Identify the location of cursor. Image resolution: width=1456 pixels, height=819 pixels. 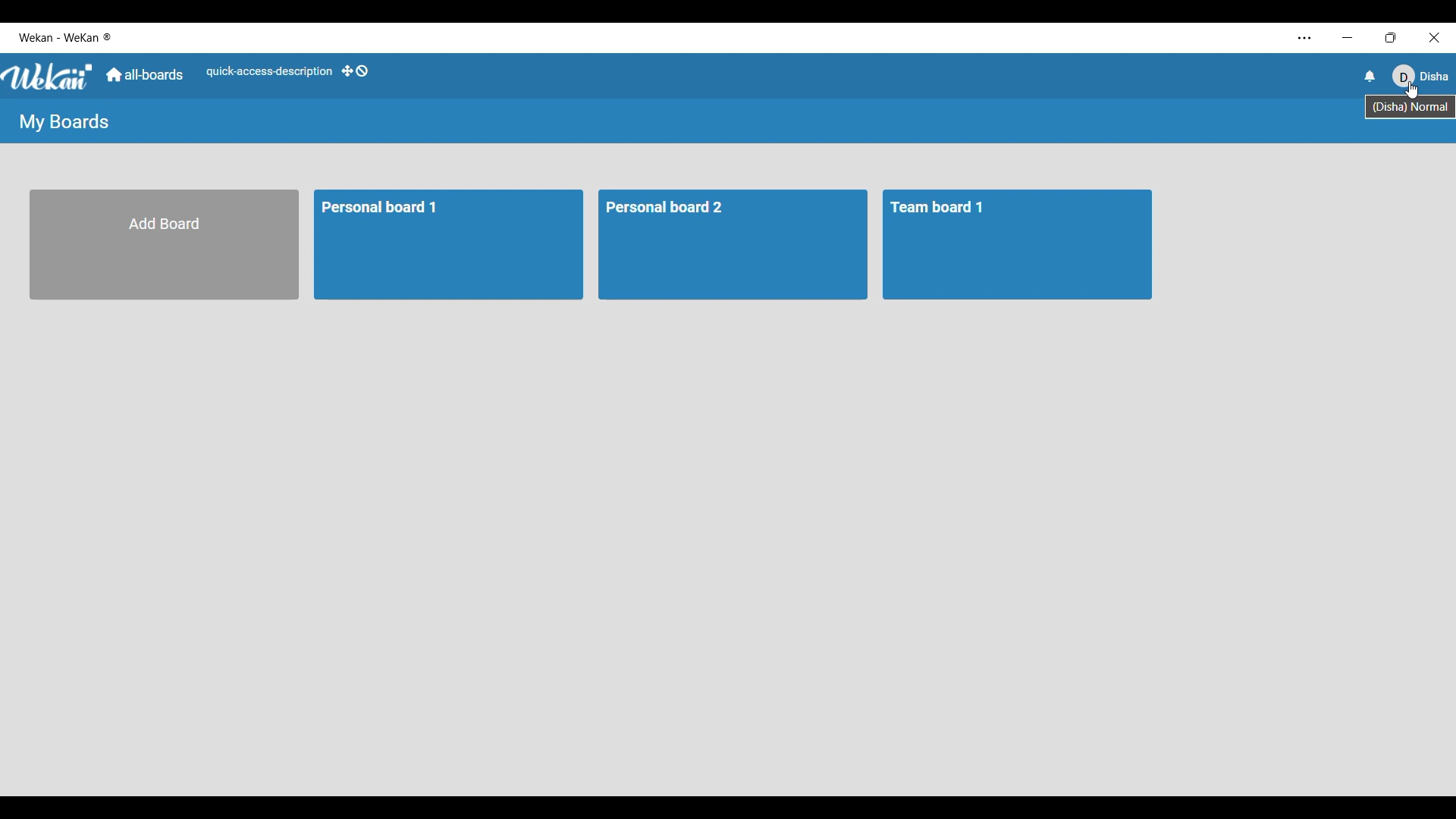
(1414, 91).